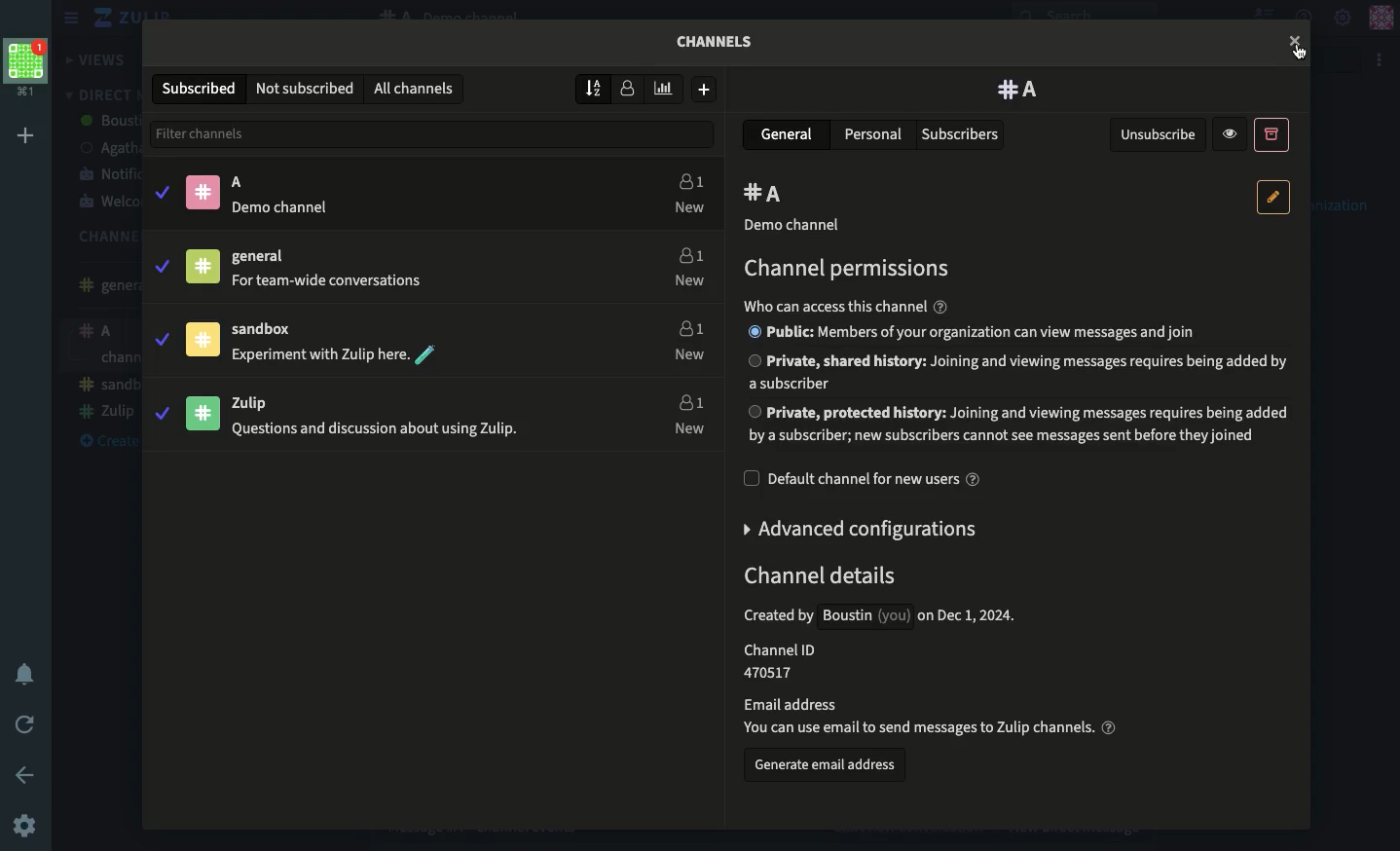  I want to click on © Private, protected history: Joining and viewing messages requires being added
by a subscriber; new subscribers cannot see messages sent before they joined, so click(1019, 425).